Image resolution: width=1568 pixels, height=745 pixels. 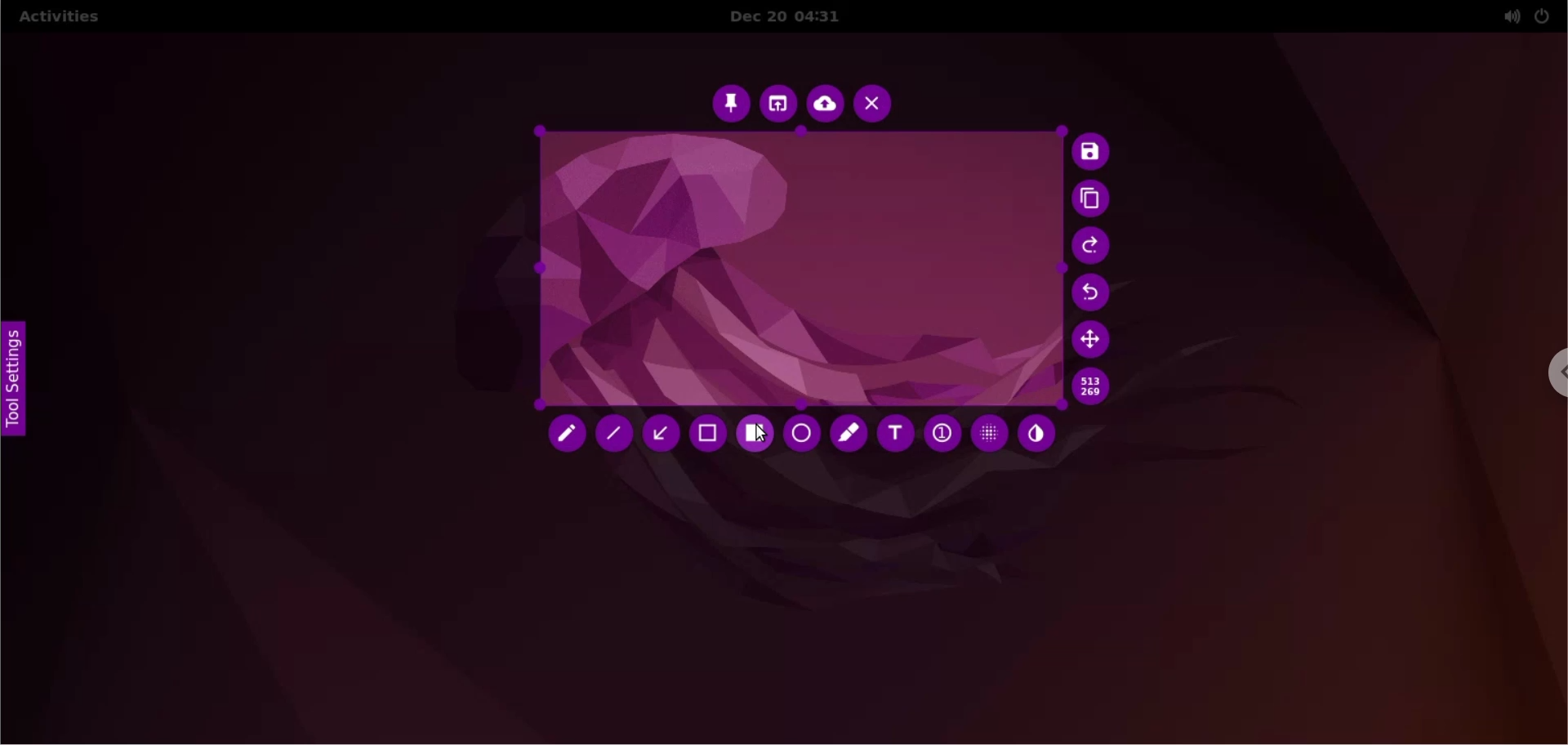 I want to click on arrow tool, so click(x=659, y=437).